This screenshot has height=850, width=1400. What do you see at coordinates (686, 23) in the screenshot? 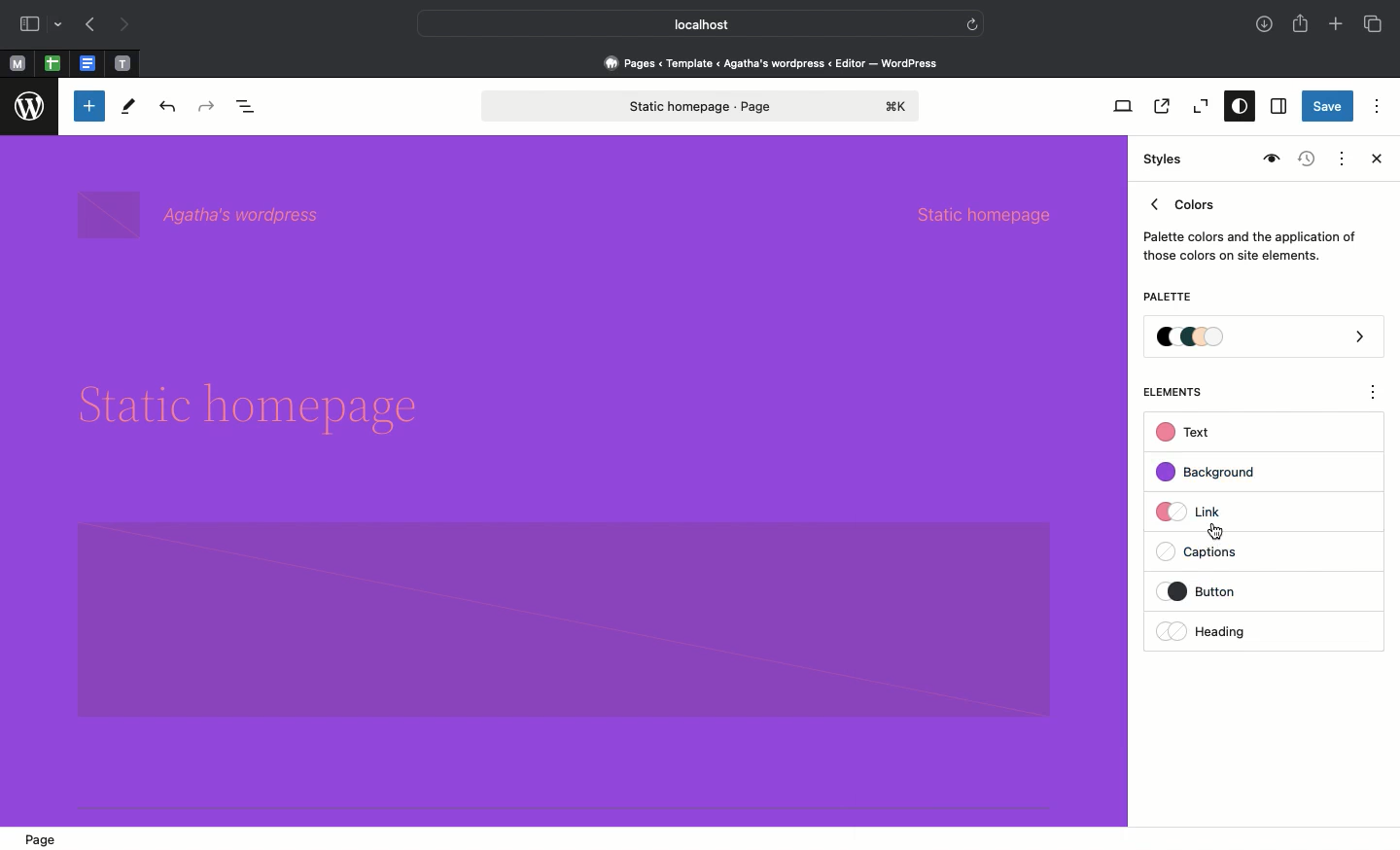
I see `Local host` at bounding box center [686, 23].